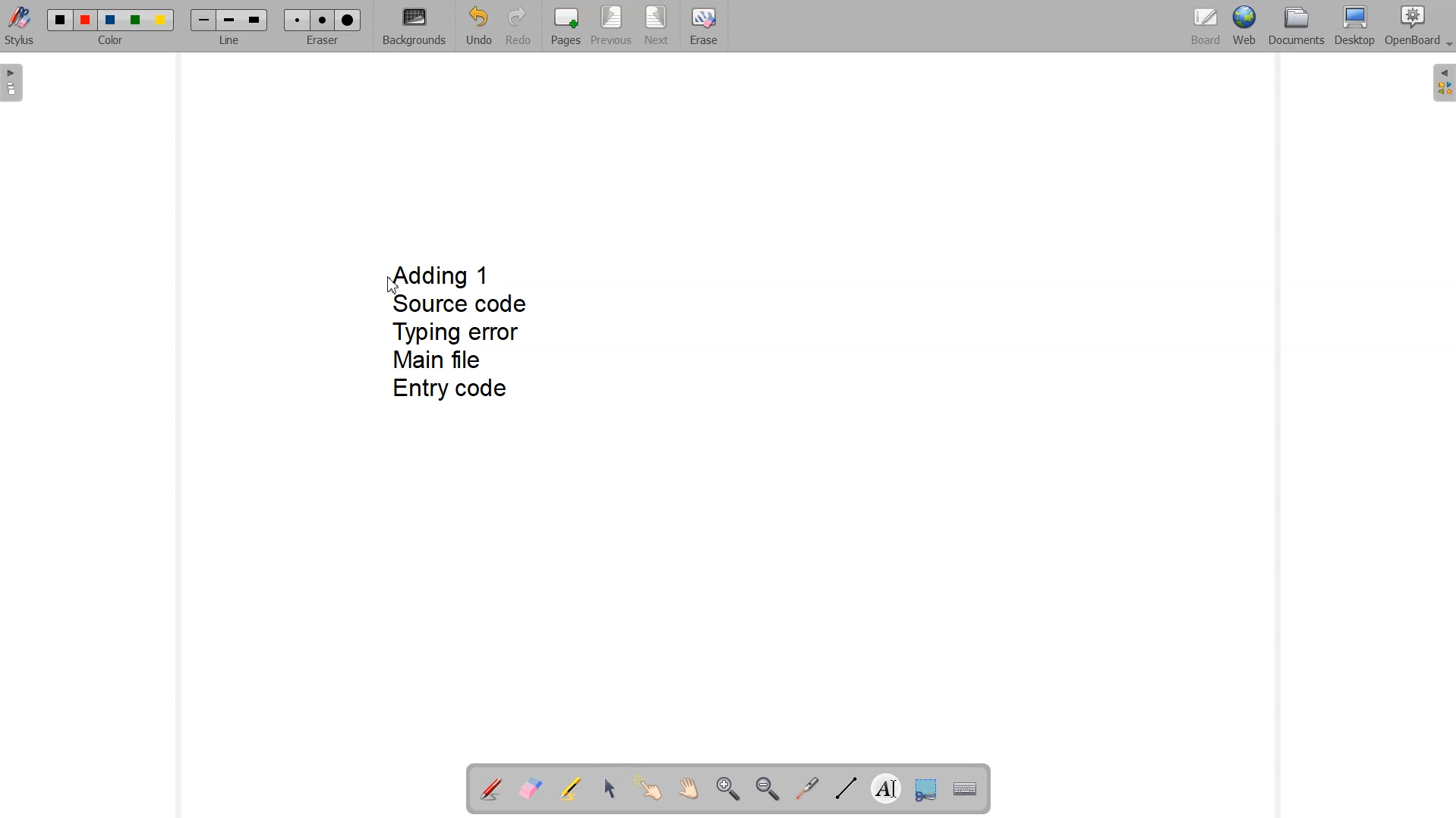  I want to click on Color 2, so click(87, 20).